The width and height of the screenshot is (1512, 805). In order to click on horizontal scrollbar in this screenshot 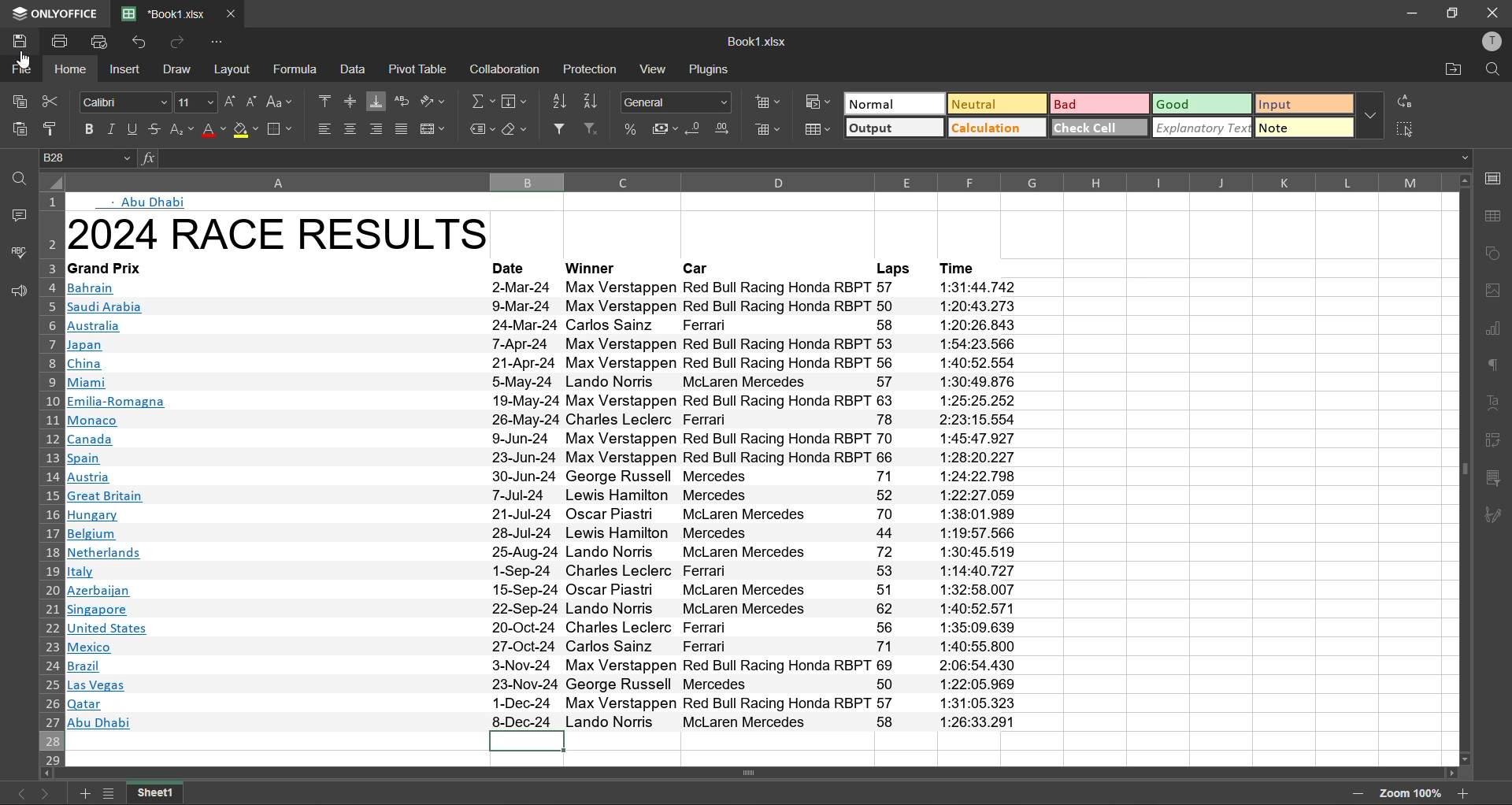, I will do `click(752, 772)`.